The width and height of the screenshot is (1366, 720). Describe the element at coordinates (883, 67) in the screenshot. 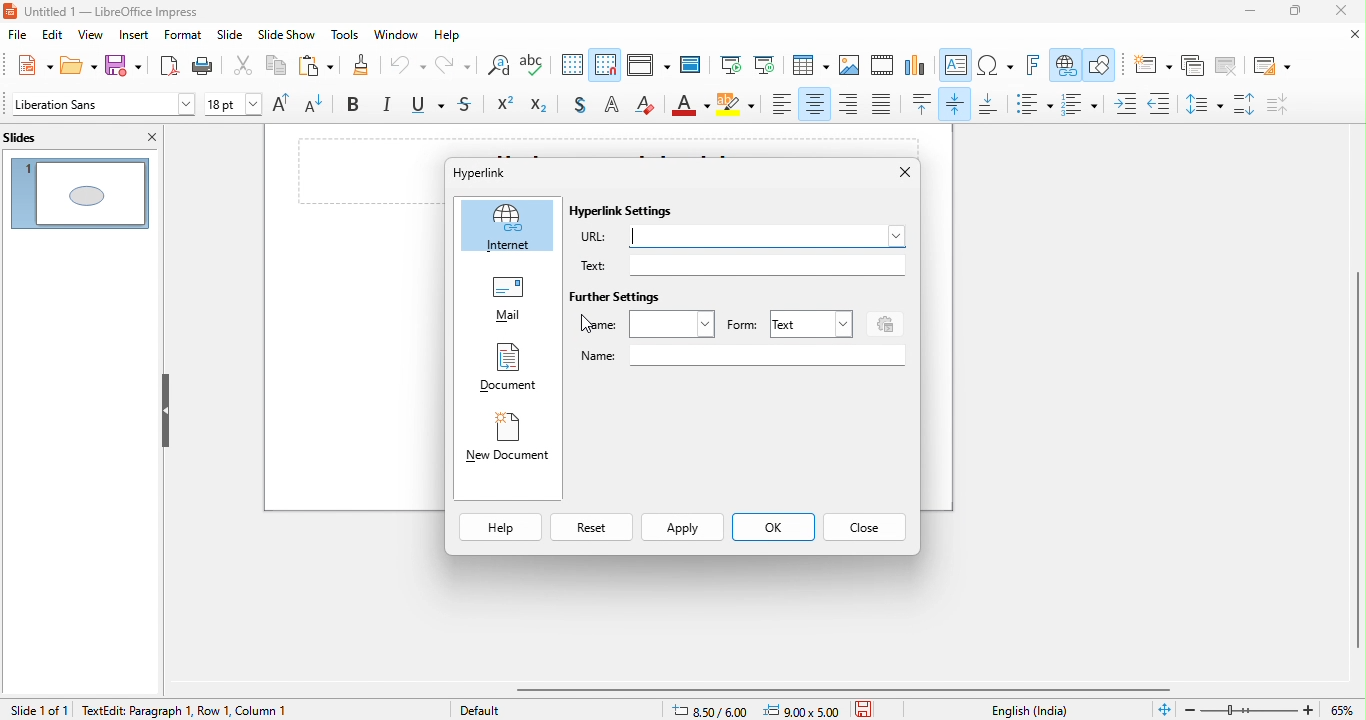

I see `video` at that location.